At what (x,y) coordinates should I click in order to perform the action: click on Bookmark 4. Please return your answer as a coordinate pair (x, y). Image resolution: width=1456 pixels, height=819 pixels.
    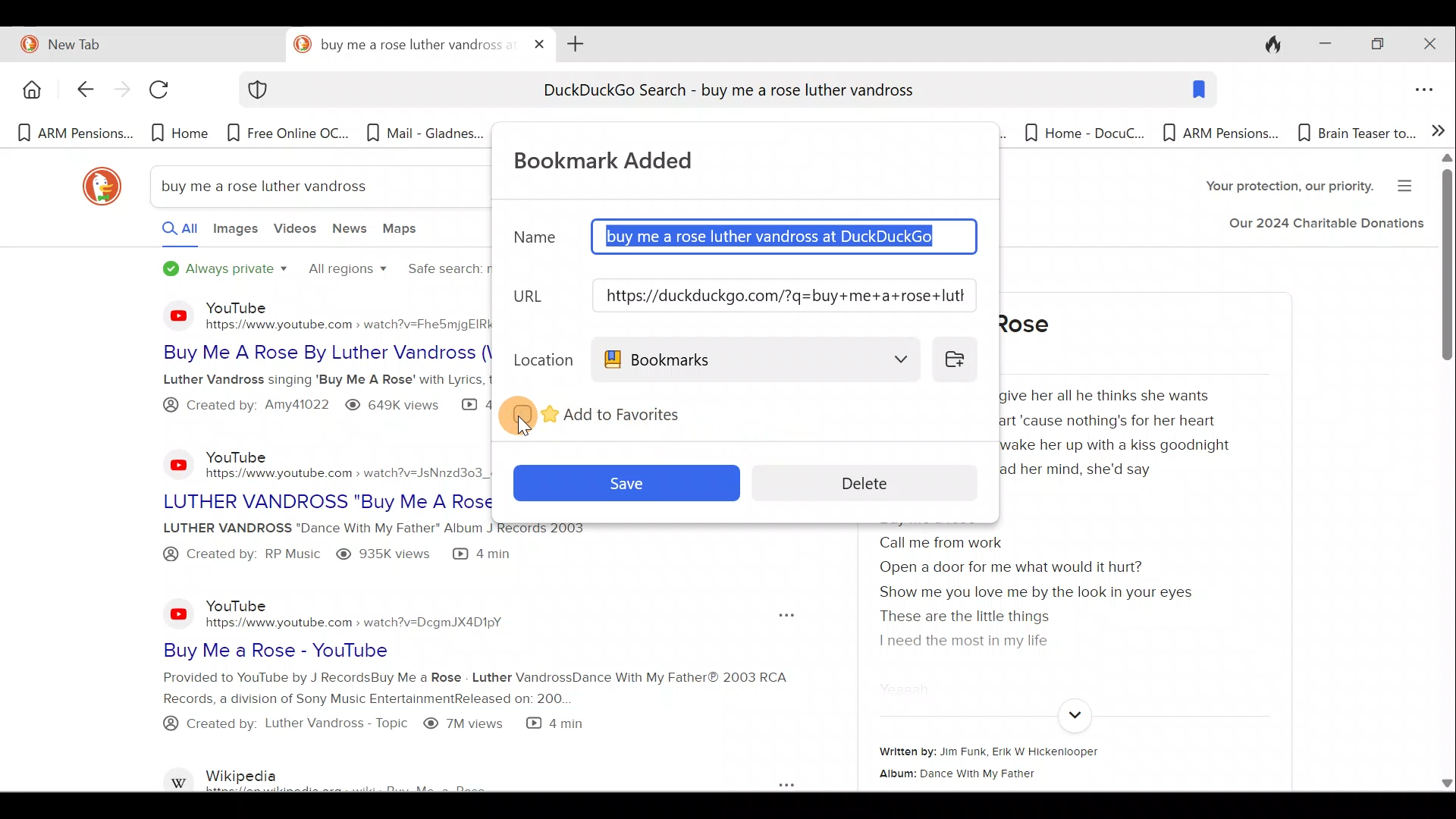
    Looking at the image, I should click on (425, 137).